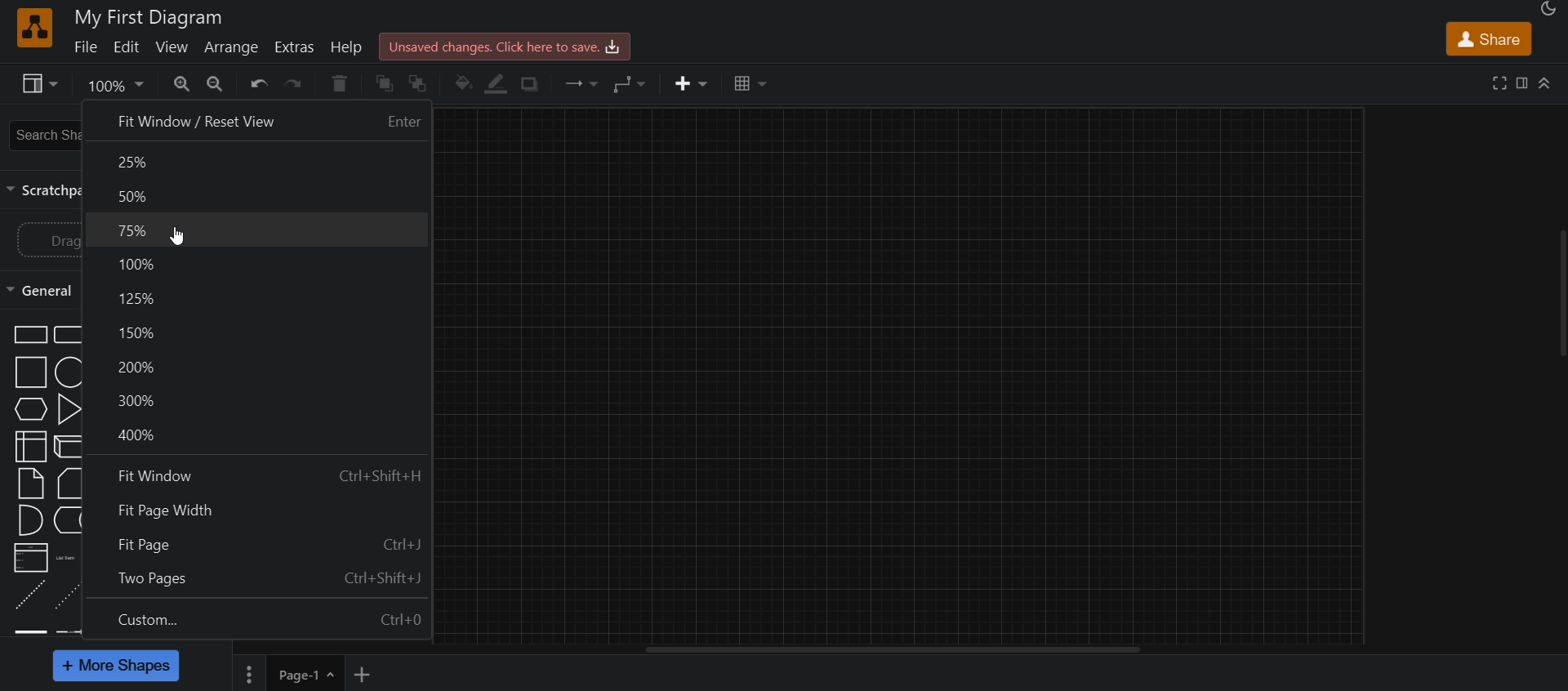 This screenshot has height=691, width=1568. I want to click on add new page, so click(370, 675).